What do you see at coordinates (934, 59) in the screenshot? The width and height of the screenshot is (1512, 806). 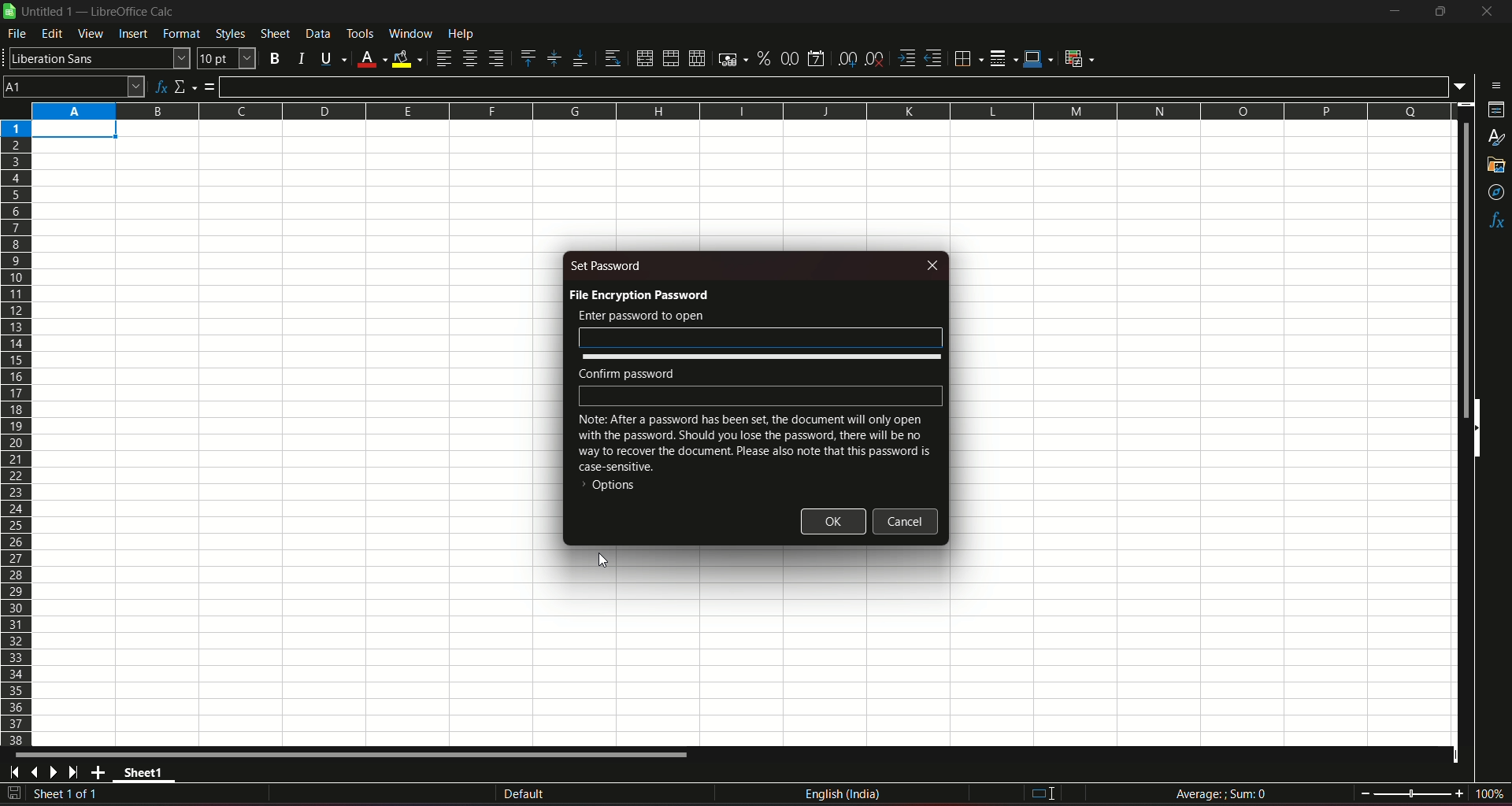 I see `decrease indent` at bounding box center [934, 59].